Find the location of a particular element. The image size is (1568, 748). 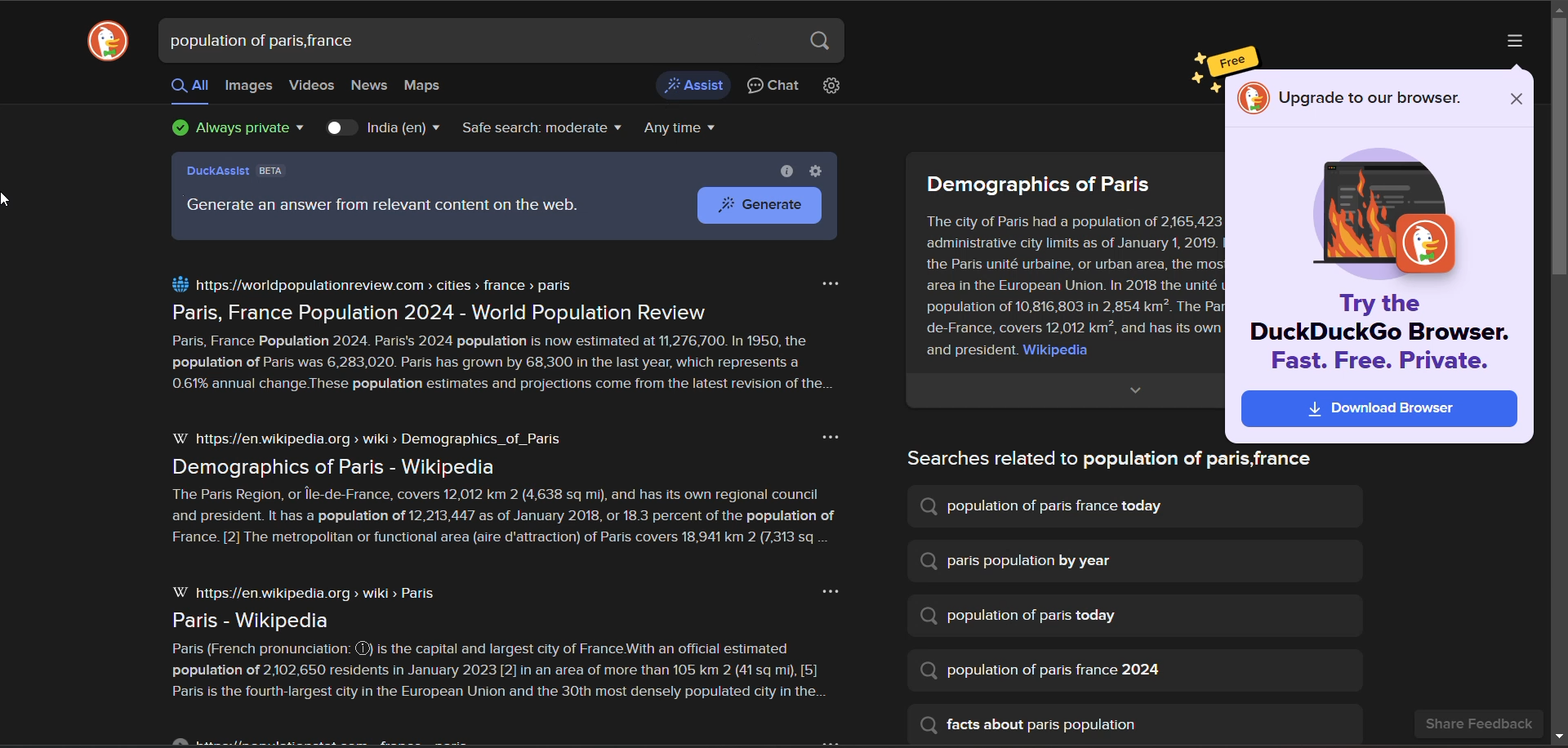

Generate is located at coordinates (751, 205).